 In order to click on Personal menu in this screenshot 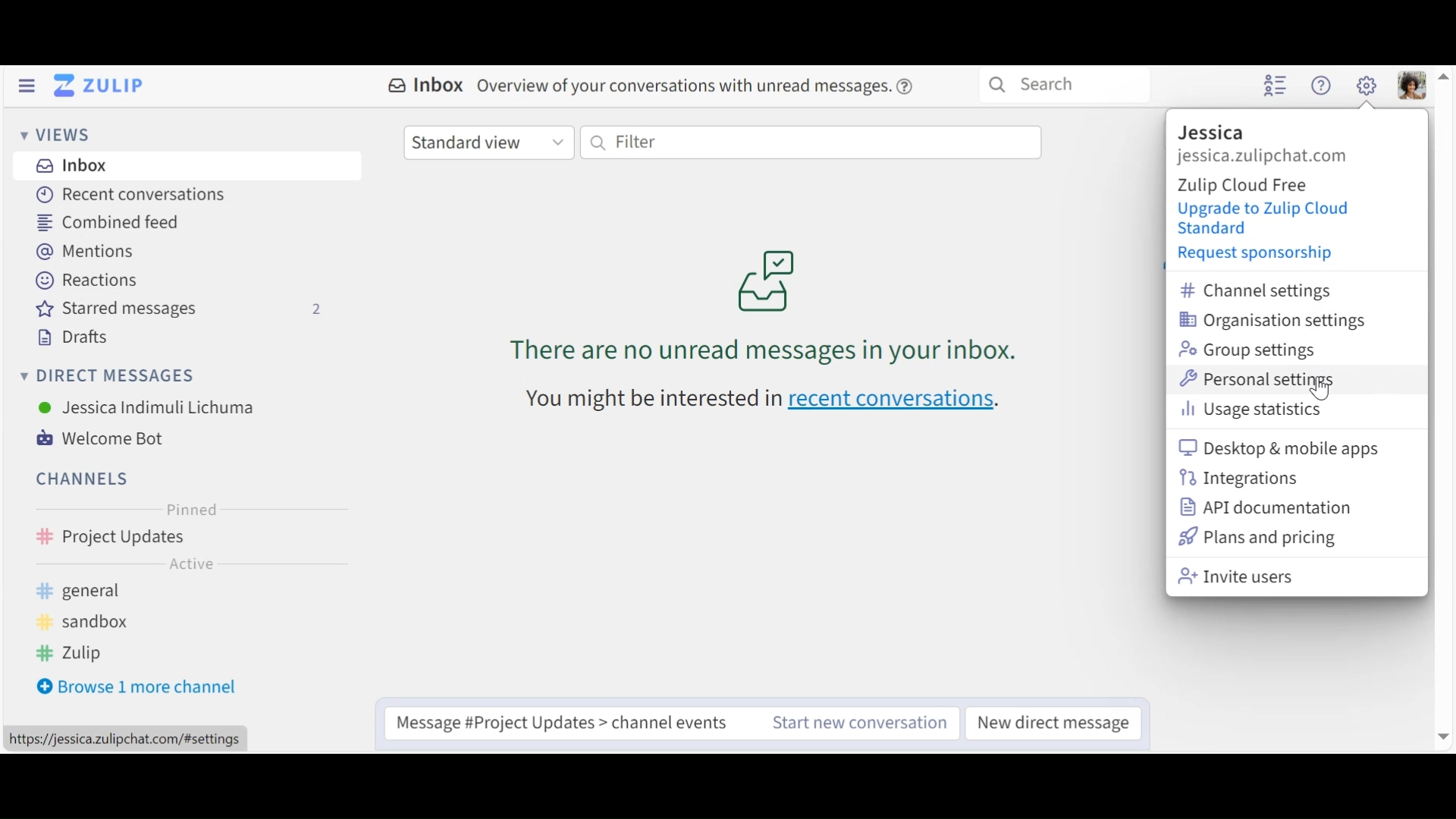, I will do `click(1413, 86)`.